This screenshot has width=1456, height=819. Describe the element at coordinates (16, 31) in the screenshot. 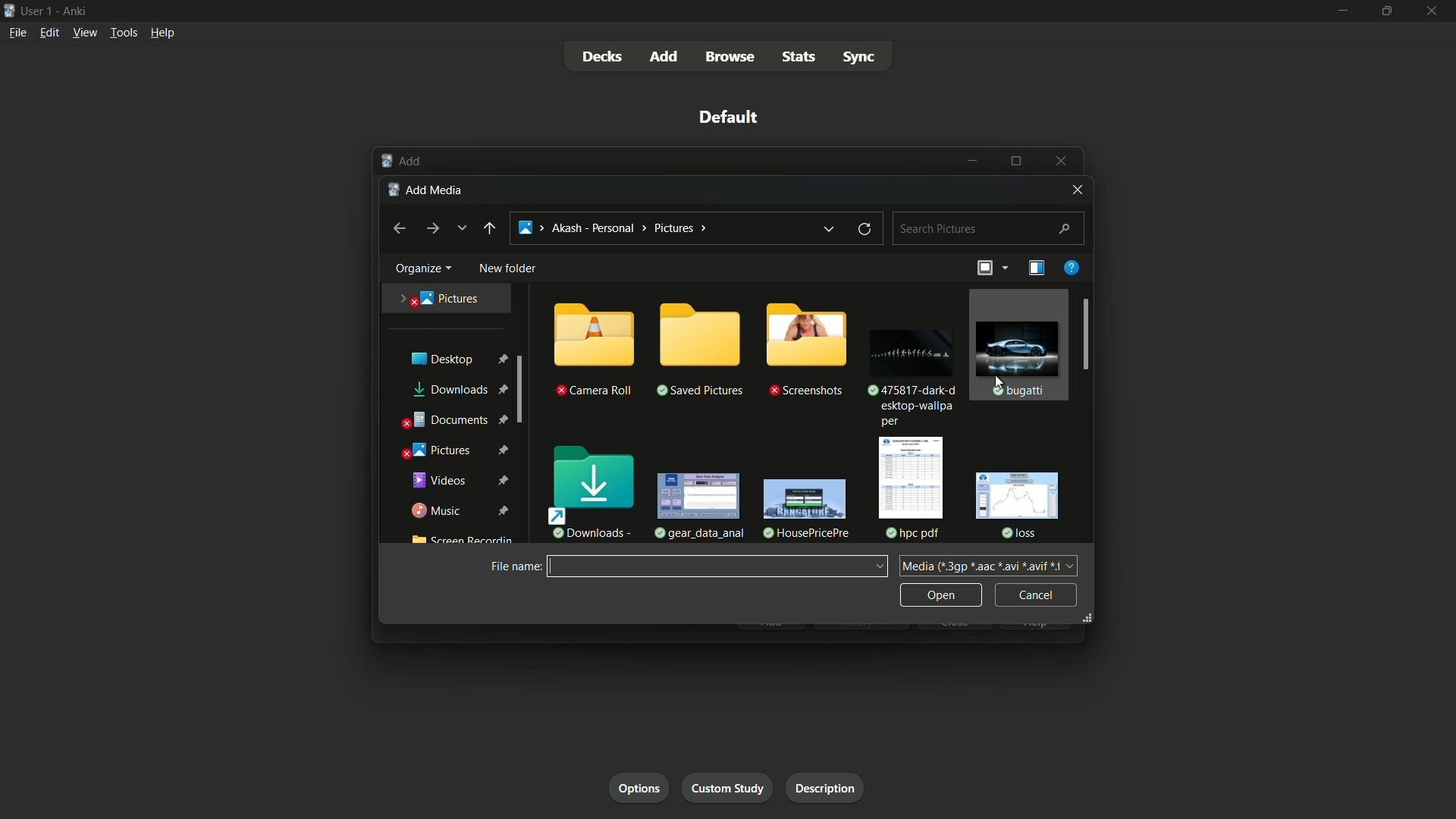

I see `file menu` at that location.